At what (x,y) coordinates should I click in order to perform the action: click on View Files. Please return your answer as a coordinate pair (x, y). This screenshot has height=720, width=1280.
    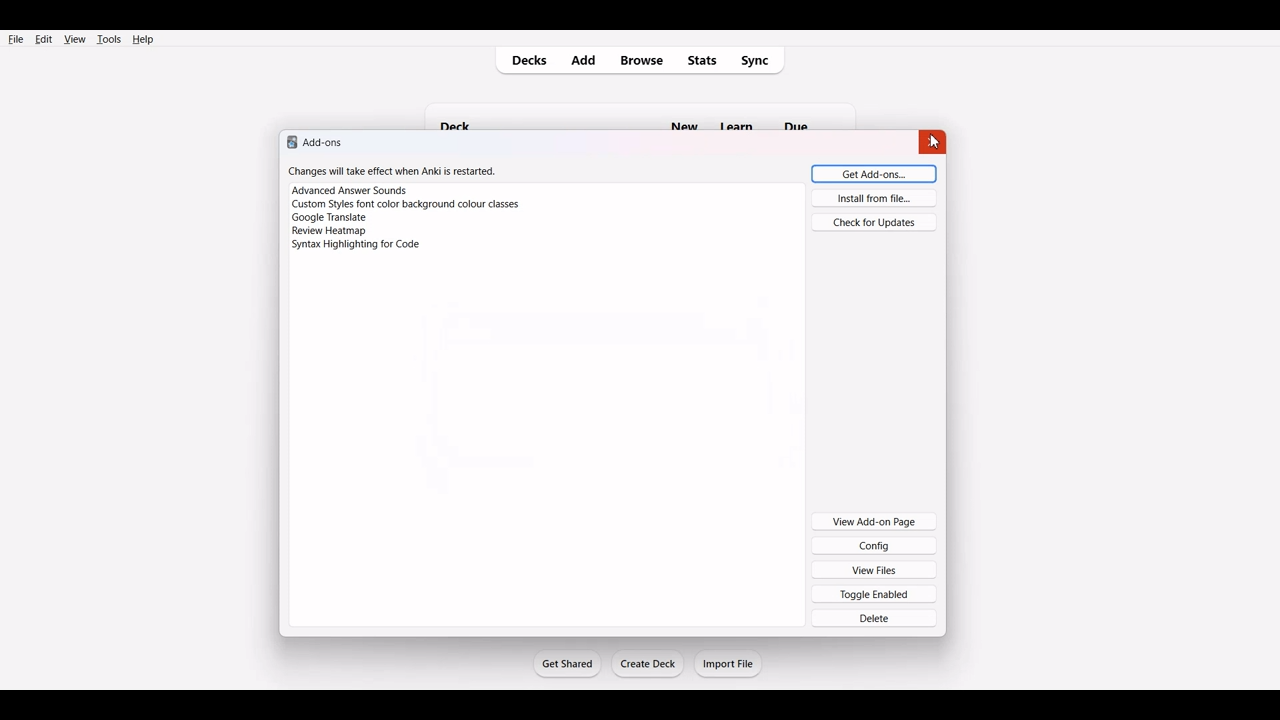
    Looking at the image, I should click on (875, 569).